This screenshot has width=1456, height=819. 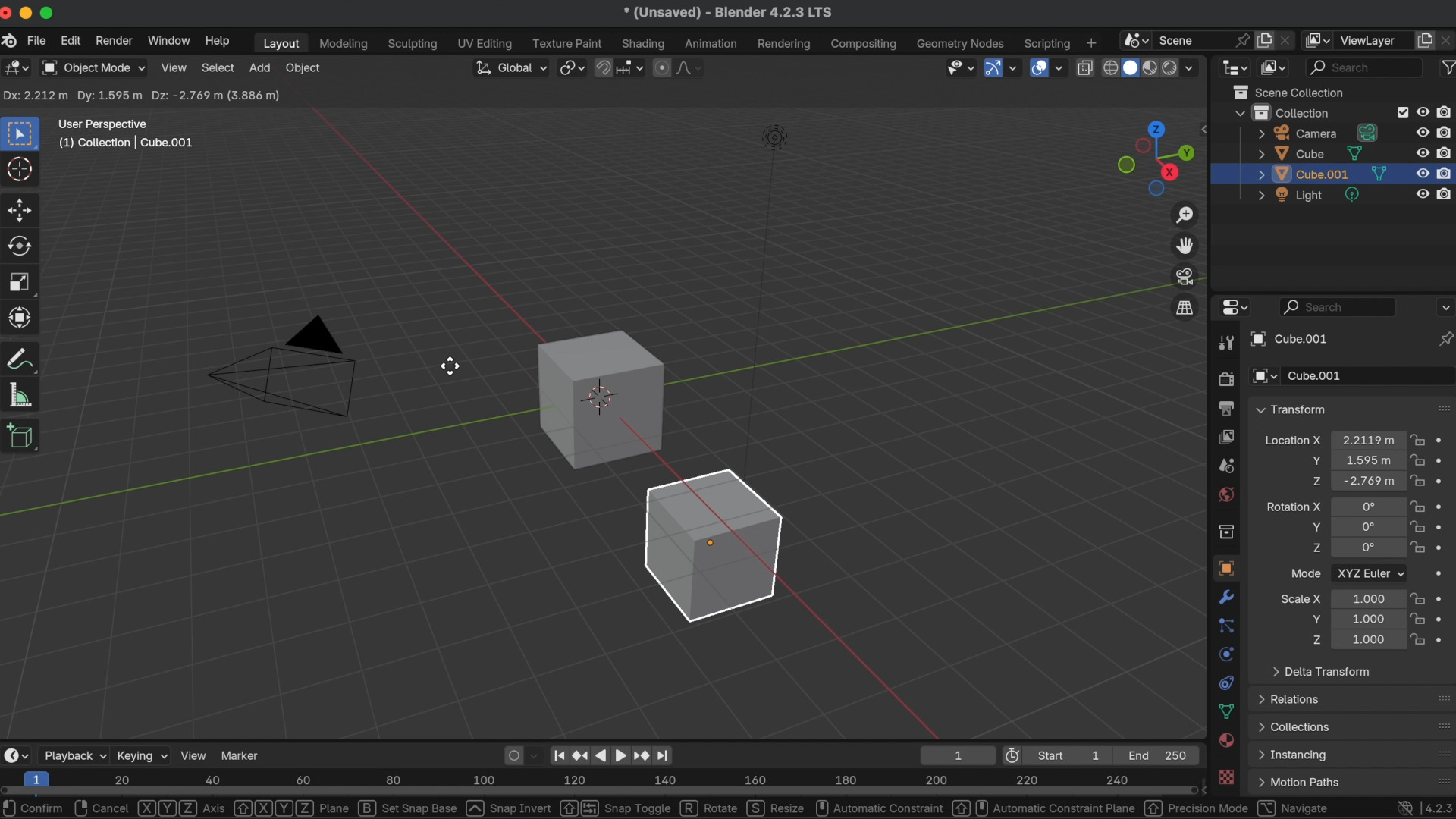 I want to click on add, so click(x=259, y=67).